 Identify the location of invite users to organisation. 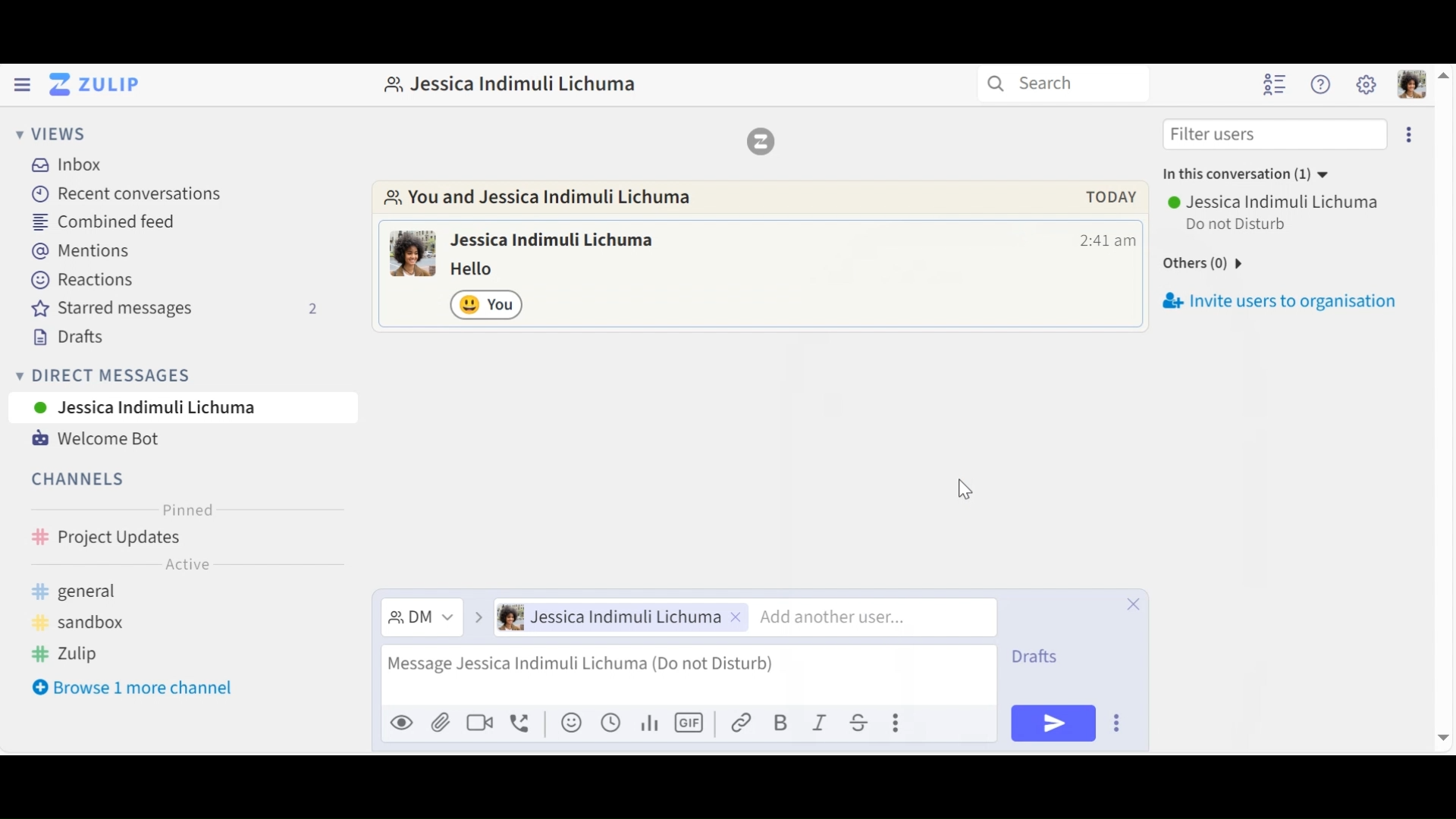
(1292, 302).